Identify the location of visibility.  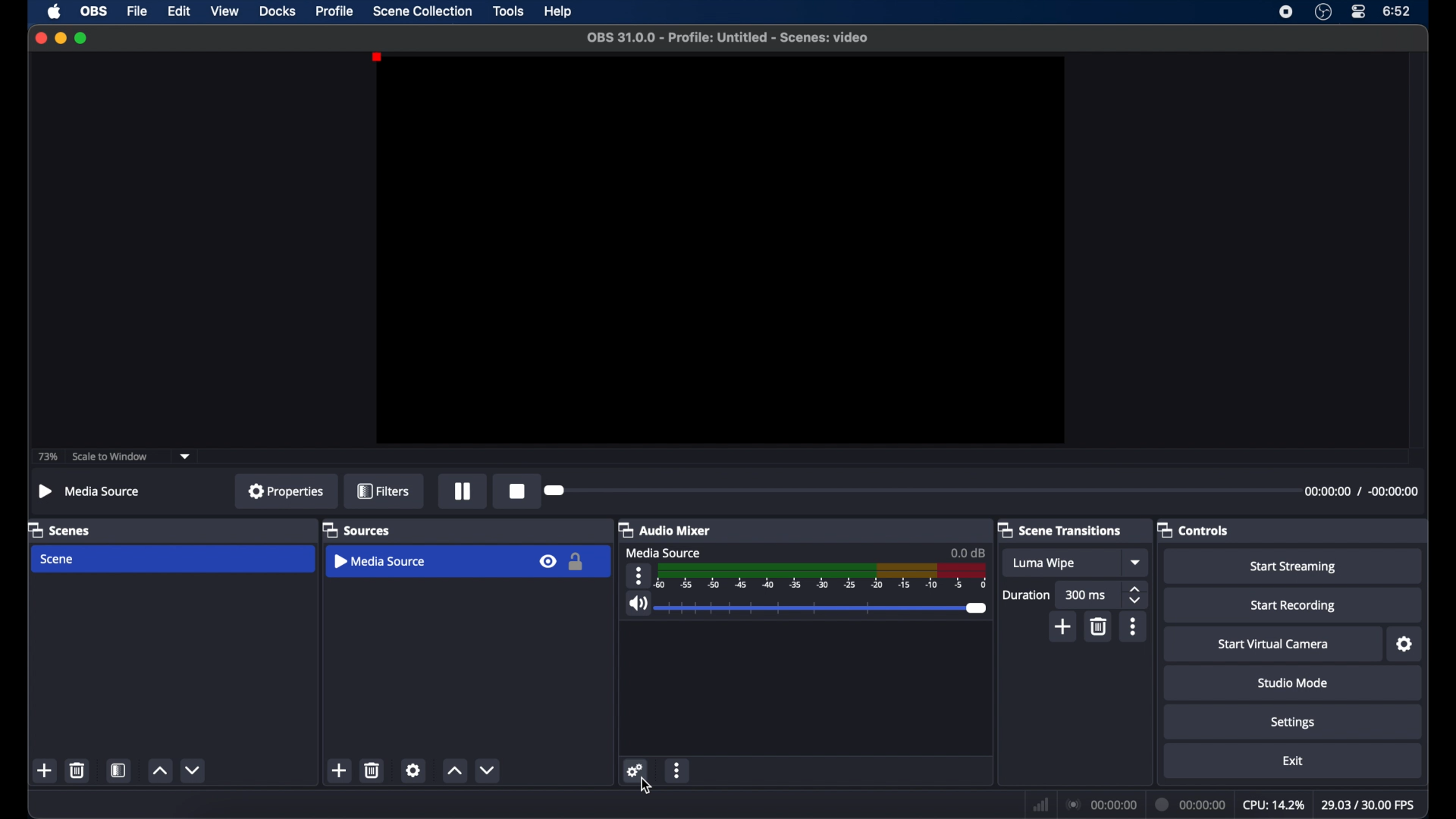
(547, 561).